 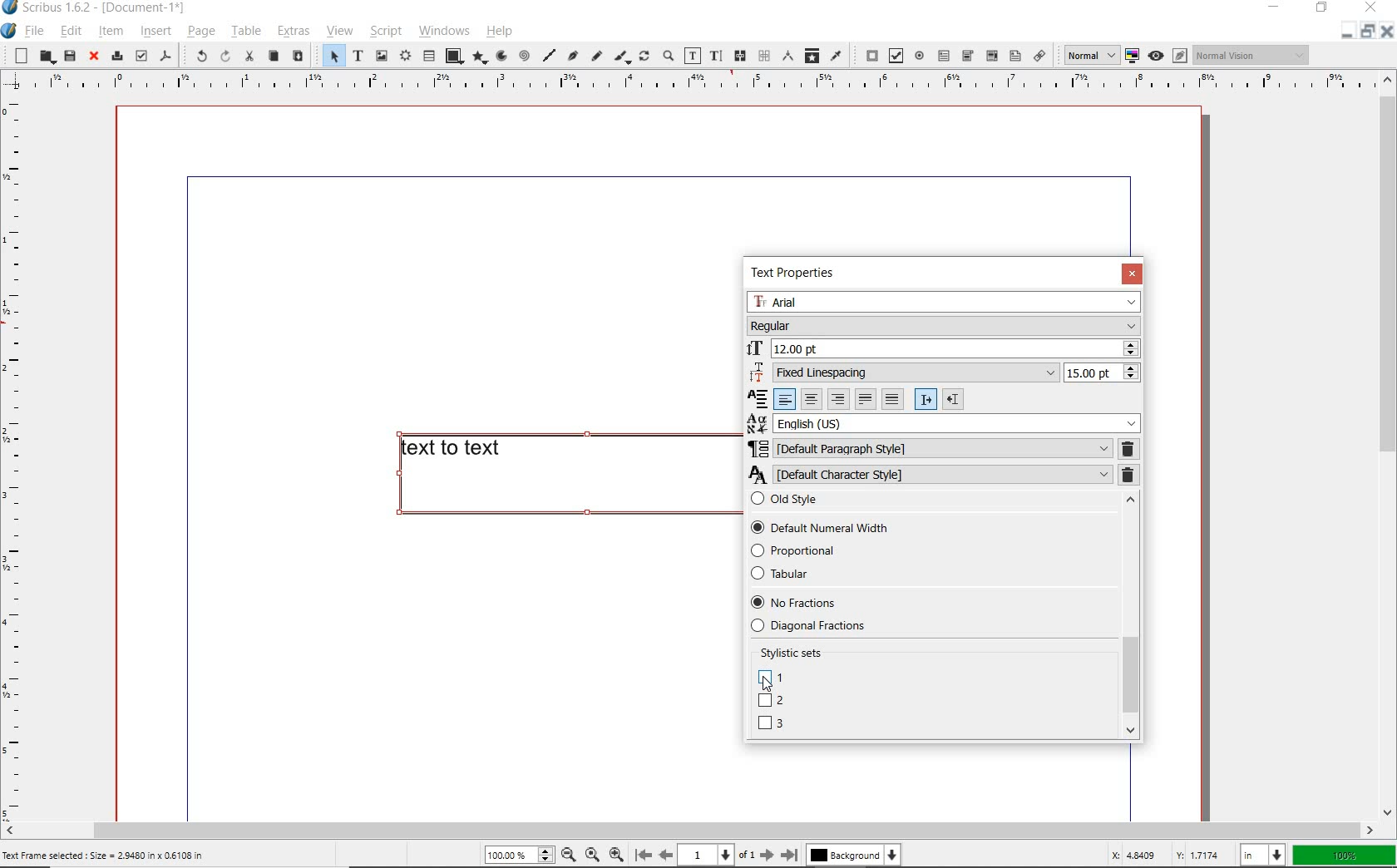 What do you see at coordinates (932, 476) in the screenshot?
I see `DEFAULT CHARACTER STYLE` at bounding box center [932, 476].